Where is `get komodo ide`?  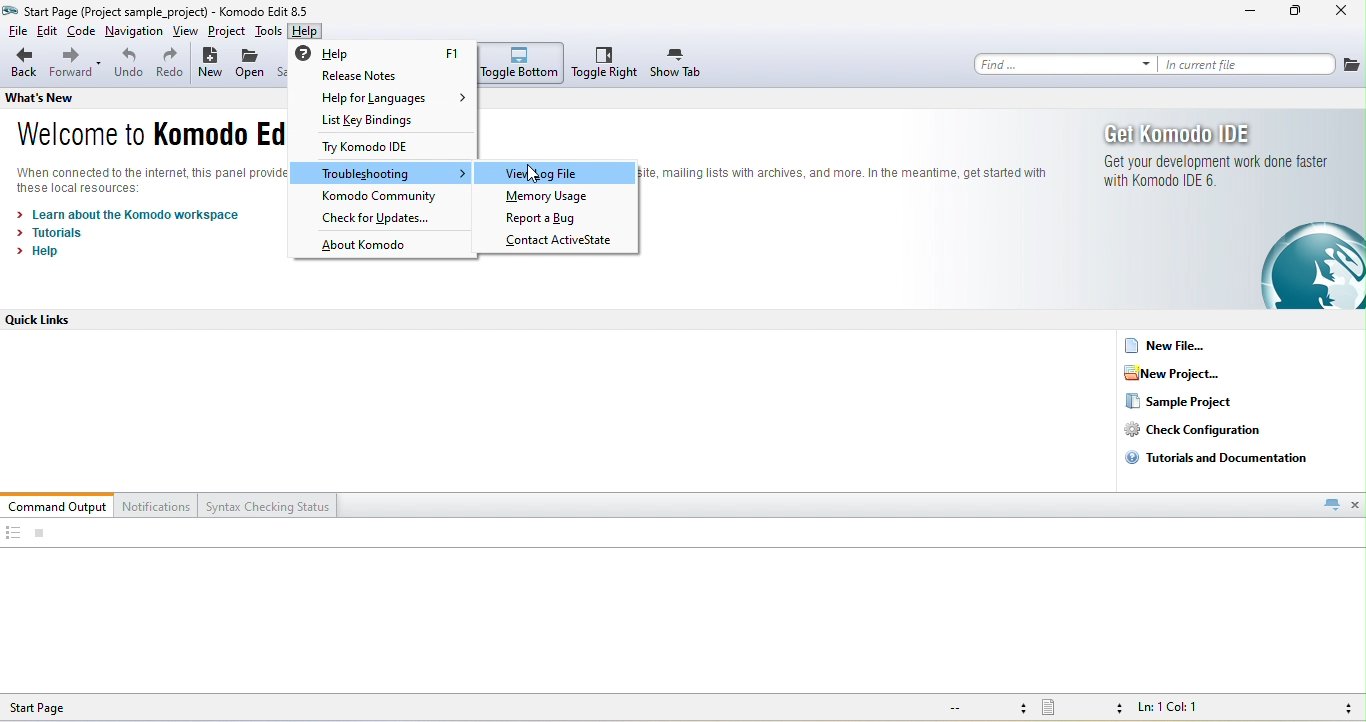 get komodo ide is located at coordinates (1184, 133).